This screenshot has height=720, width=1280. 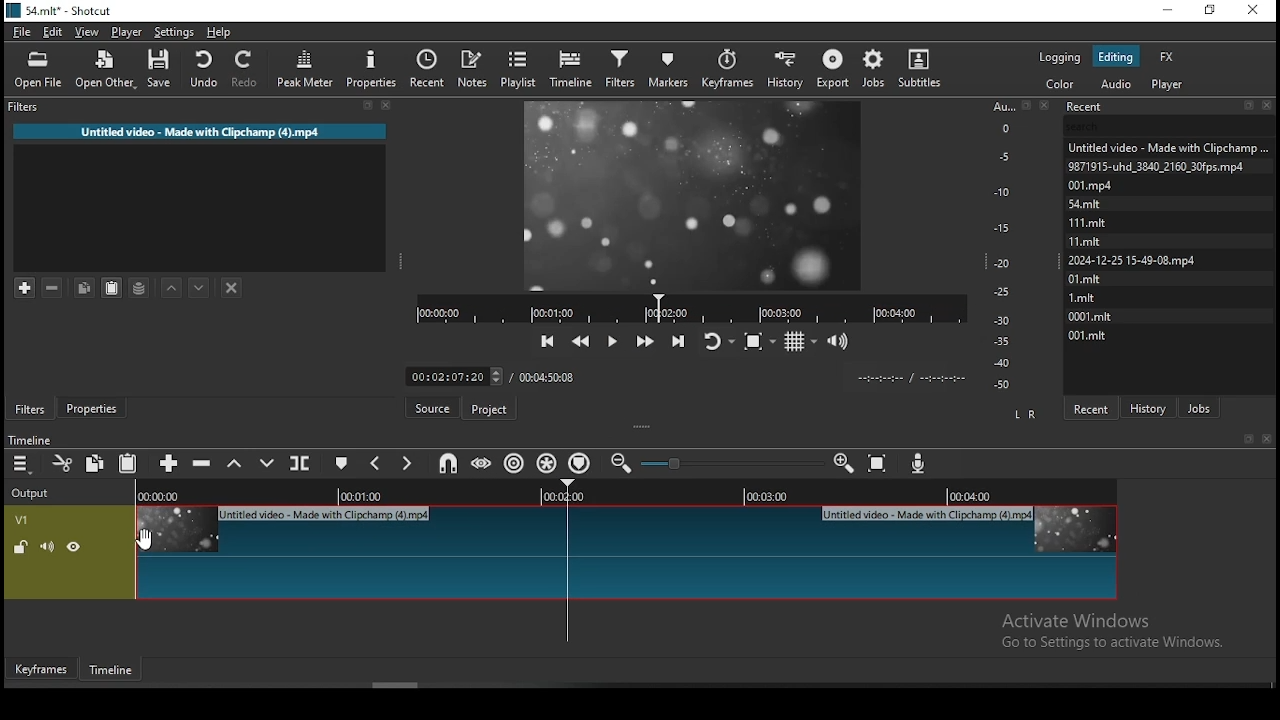 I want to click on scrub while dragging, so click(x=483, y=464).